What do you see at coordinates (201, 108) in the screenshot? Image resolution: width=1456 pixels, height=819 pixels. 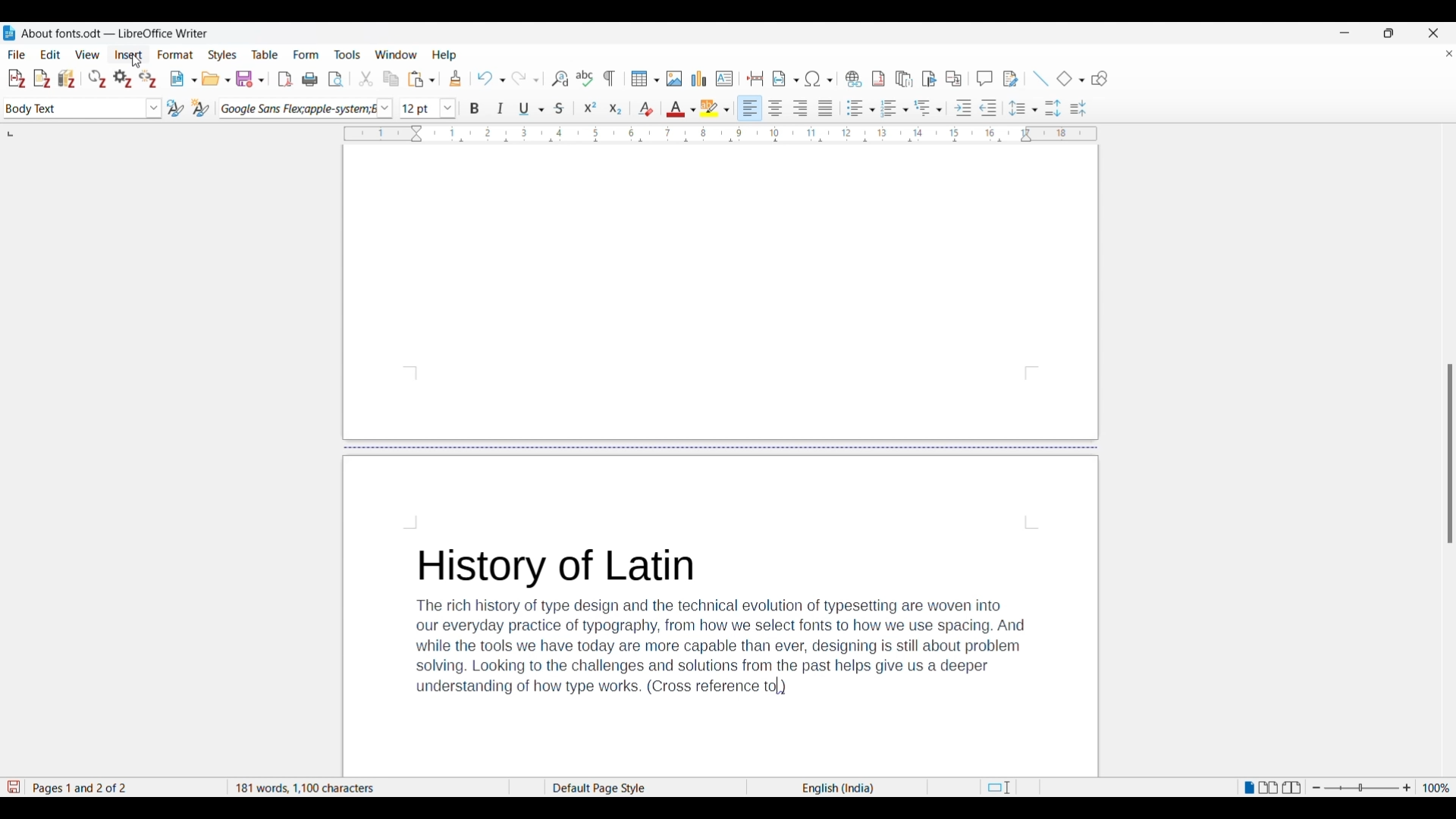 I see `New style from selection` at bounding box center [201, 108].